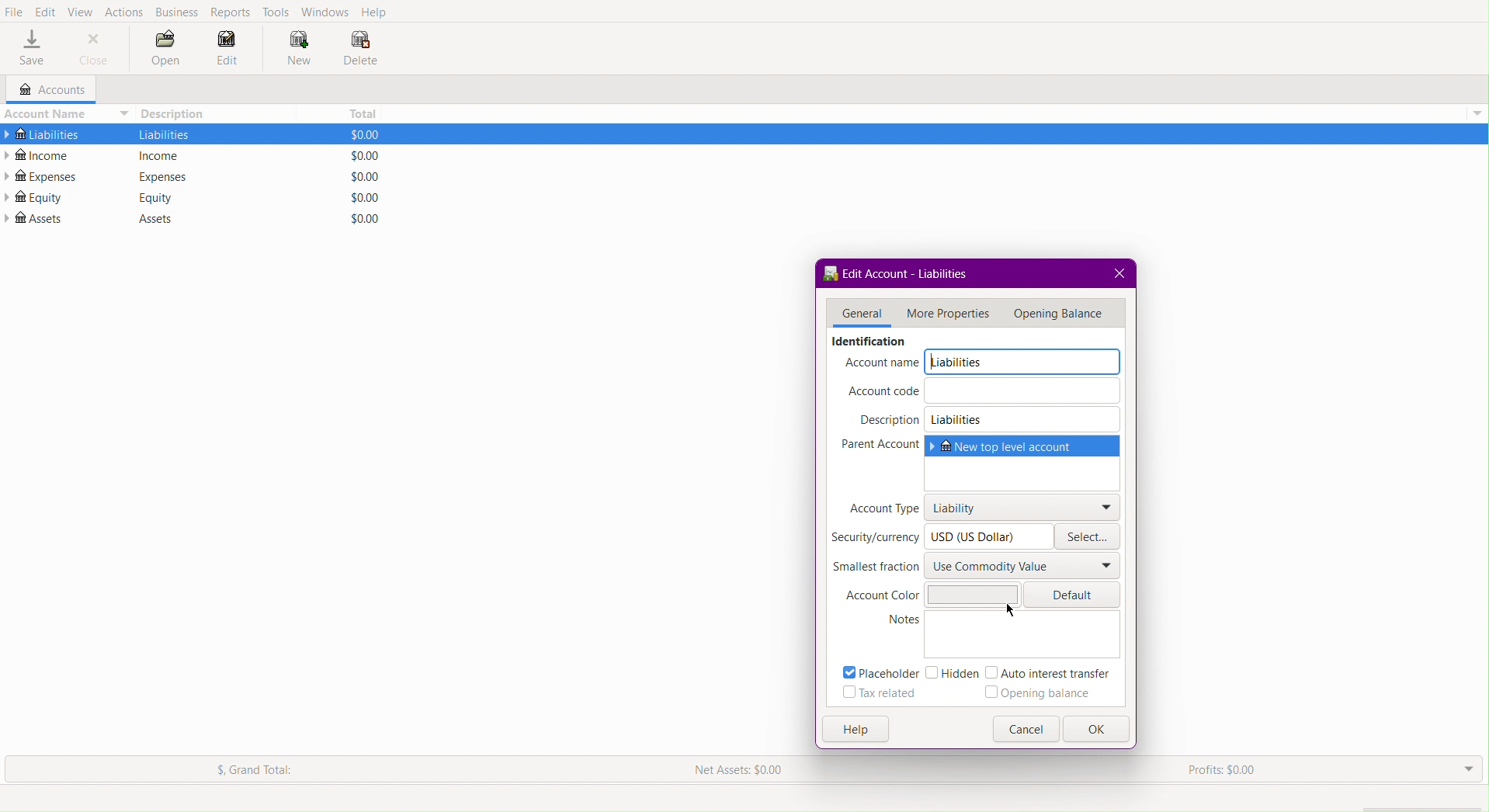  What do you see at coordinates (42, 132) in the screenshot?
I see `Liabilities` at bounding box center [42, 132].